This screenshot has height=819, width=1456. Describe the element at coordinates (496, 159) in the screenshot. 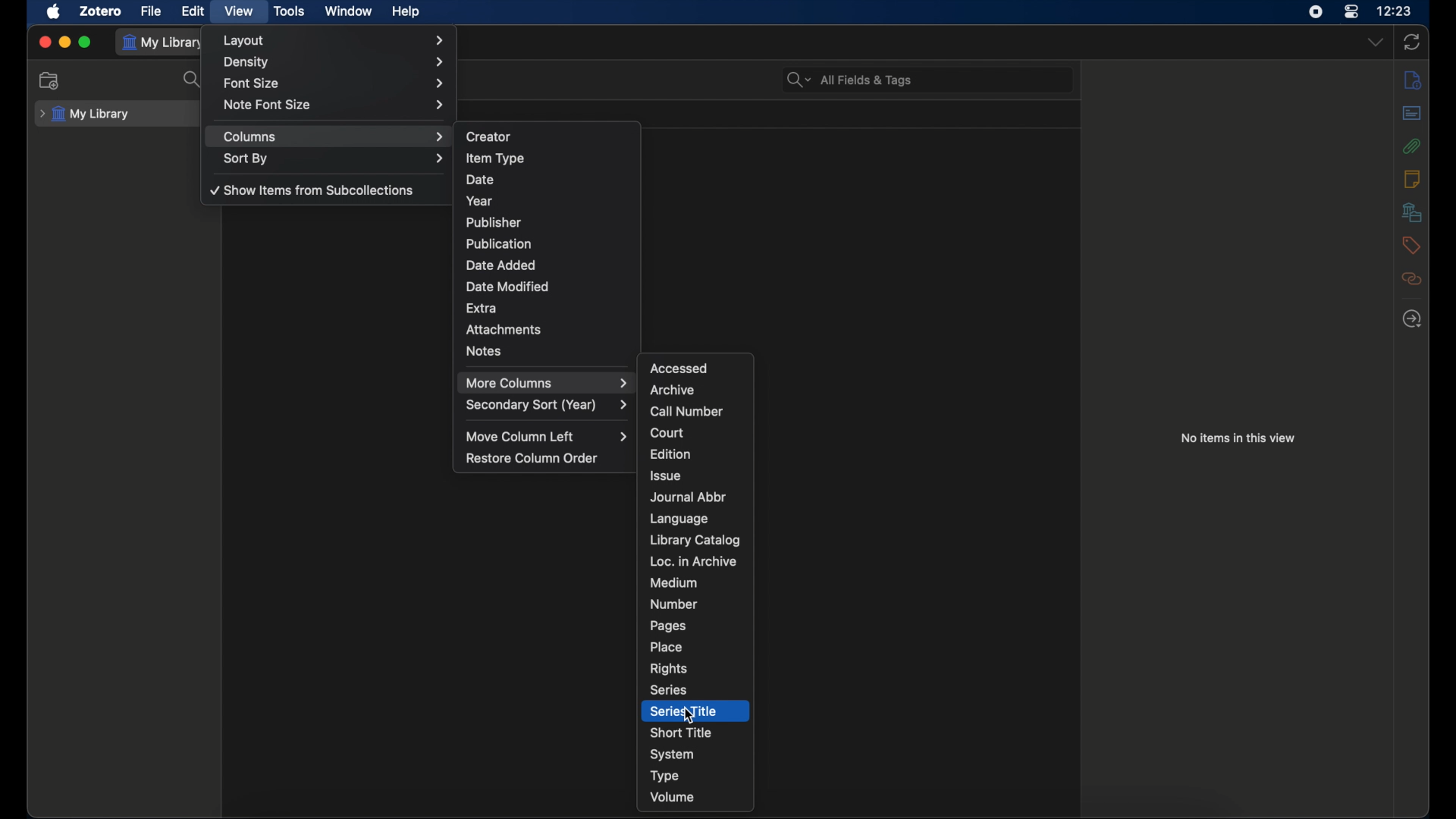

I see `item type` at that location.